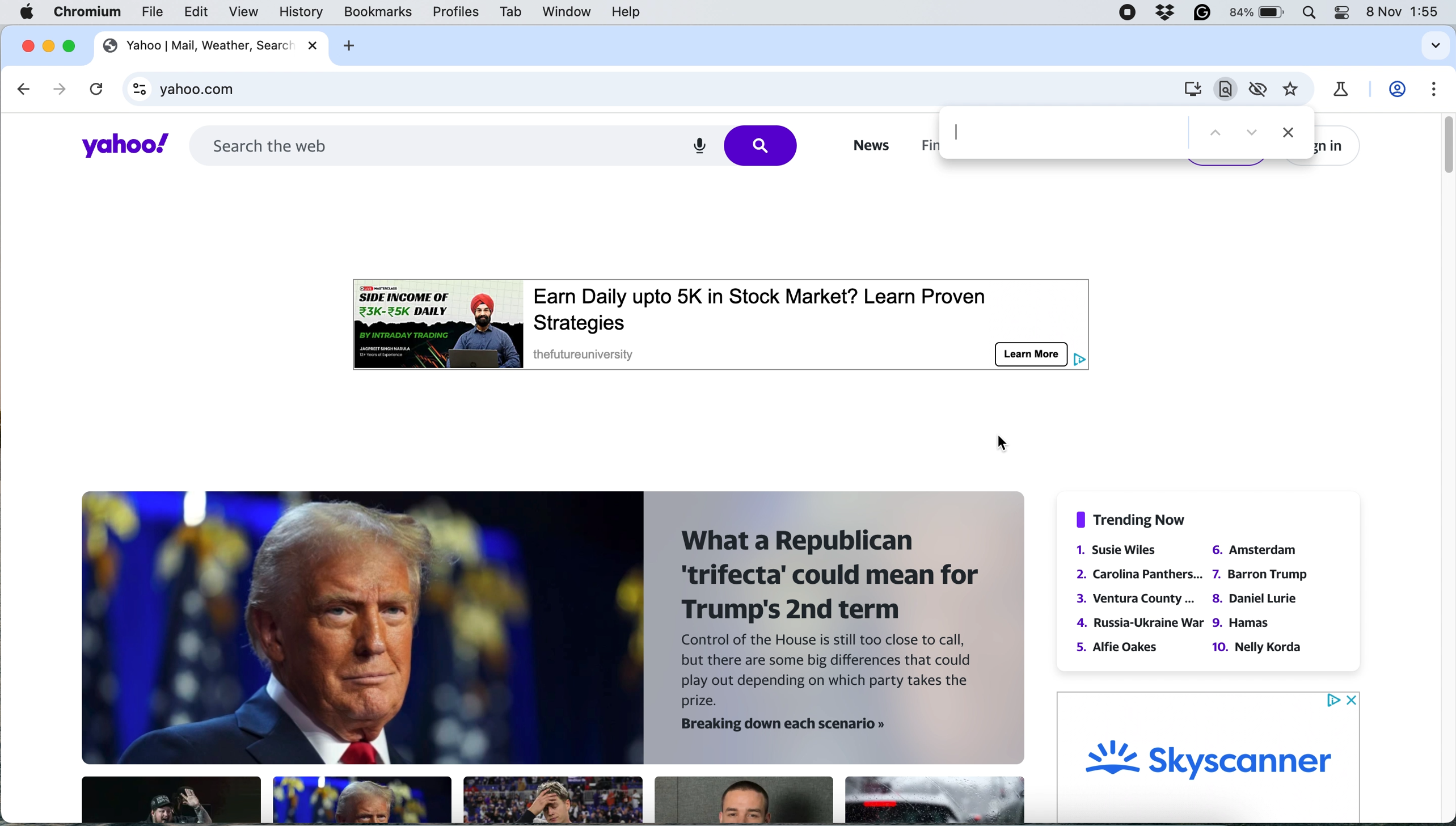 Image resolution: width=1456 pixels, height=826 pixels. Describe the element at coordinates (553, 799) in the screenshot. I see `News Article ` at that location.